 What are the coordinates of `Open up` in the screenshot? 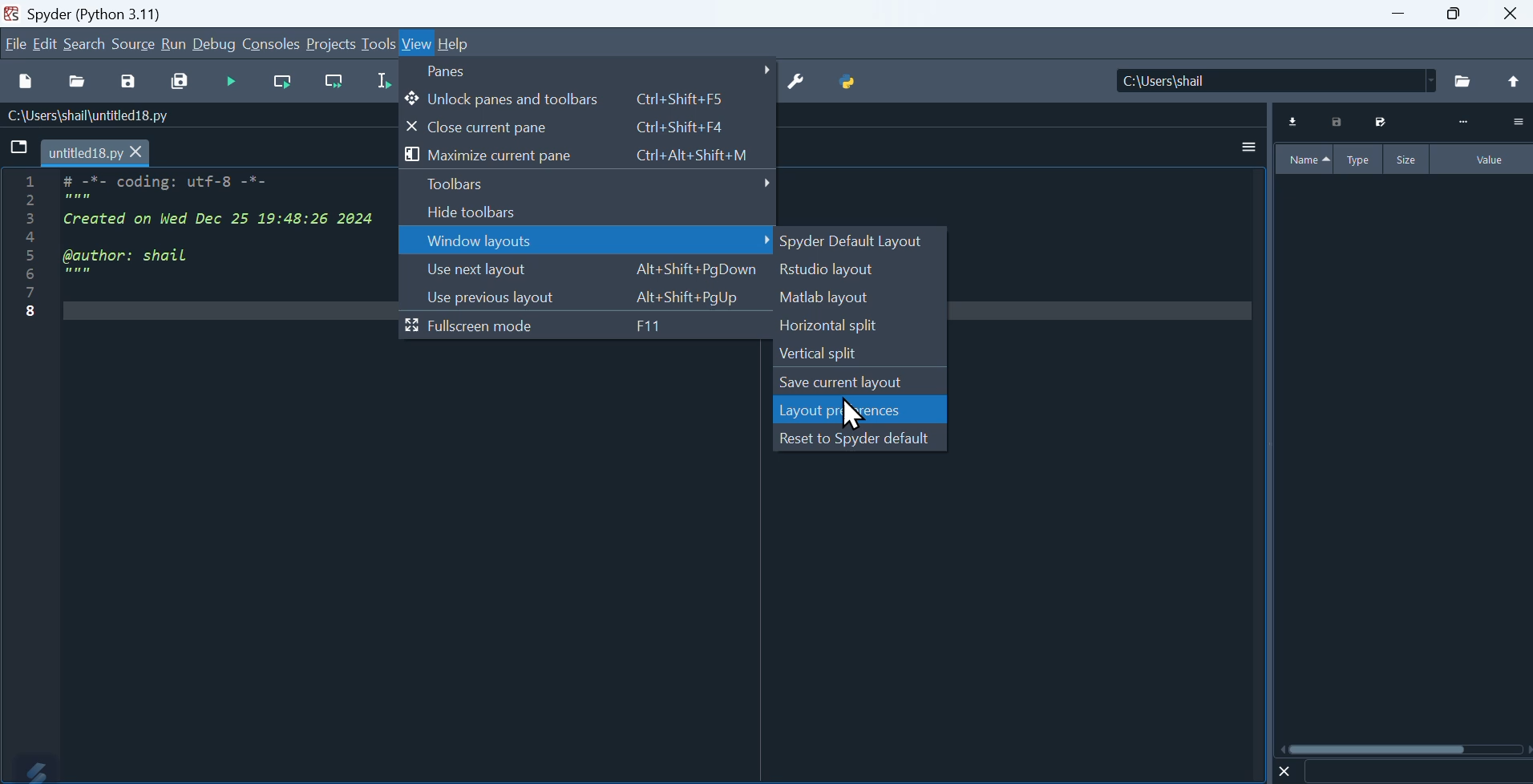 It's located at (1511, 83).